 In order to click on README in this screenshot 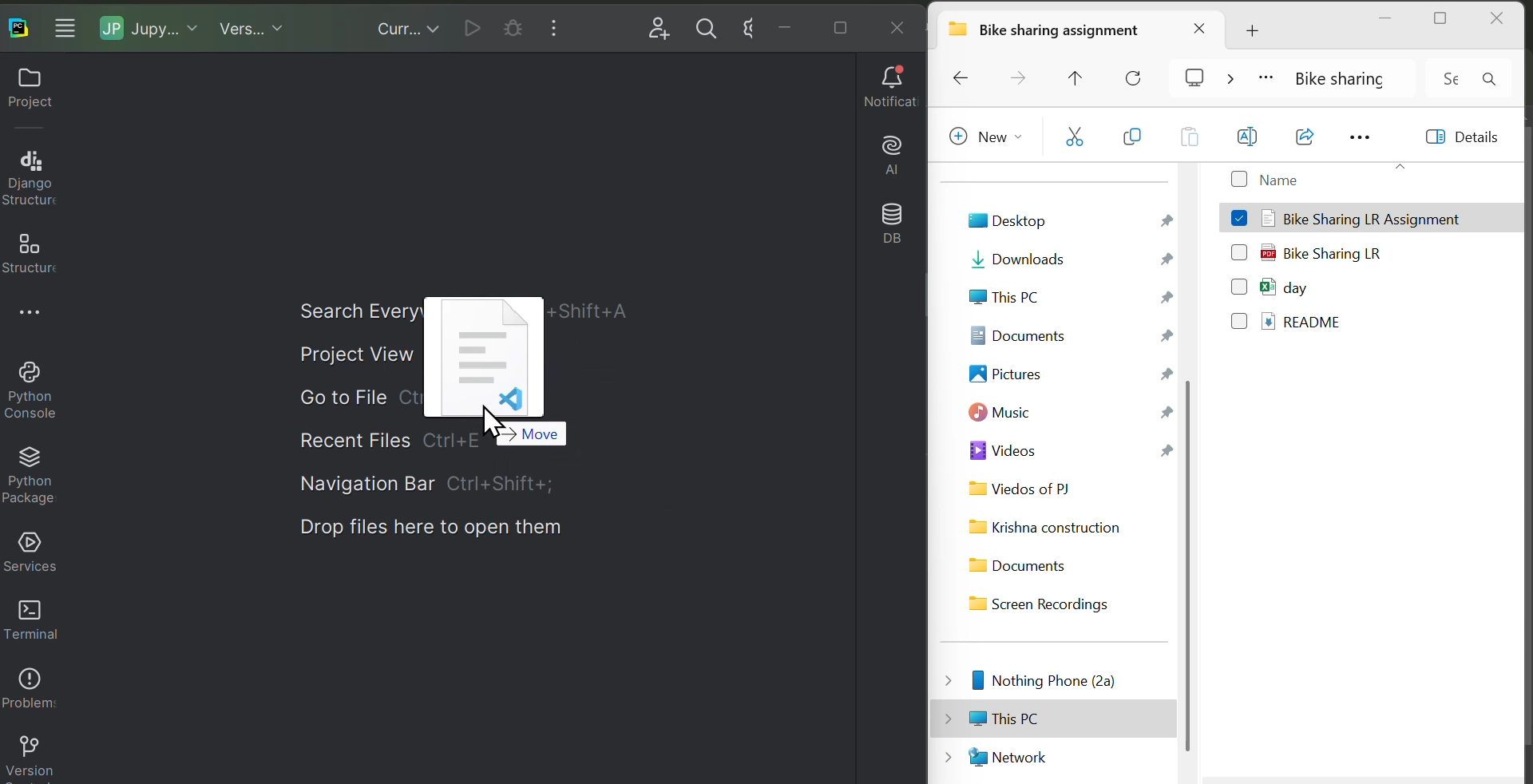, I will do `click(1306, 327)`.